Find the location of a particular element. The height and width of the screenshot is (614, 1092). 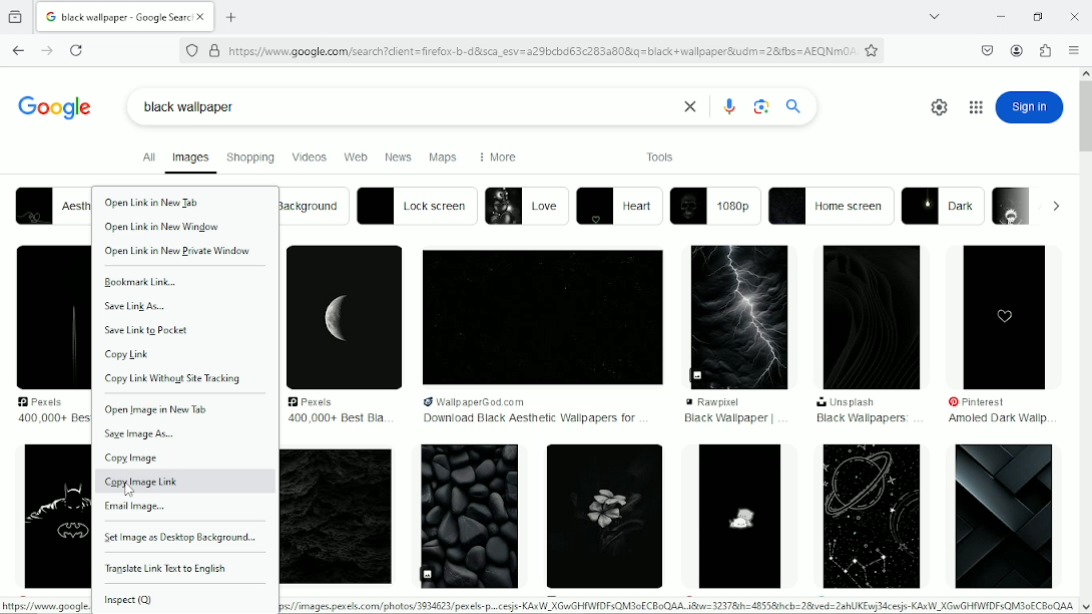

open image in new tab is located at coordinates (160, 412).